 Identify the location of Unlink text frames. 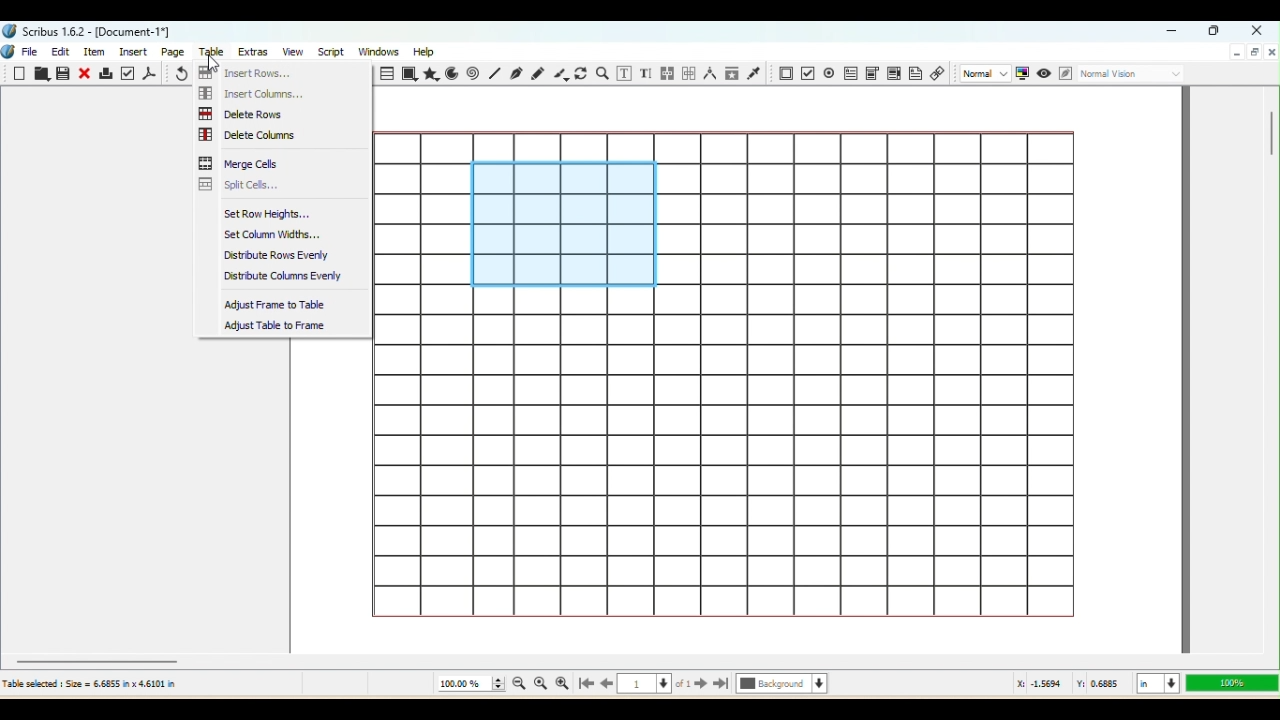
(687, 72).